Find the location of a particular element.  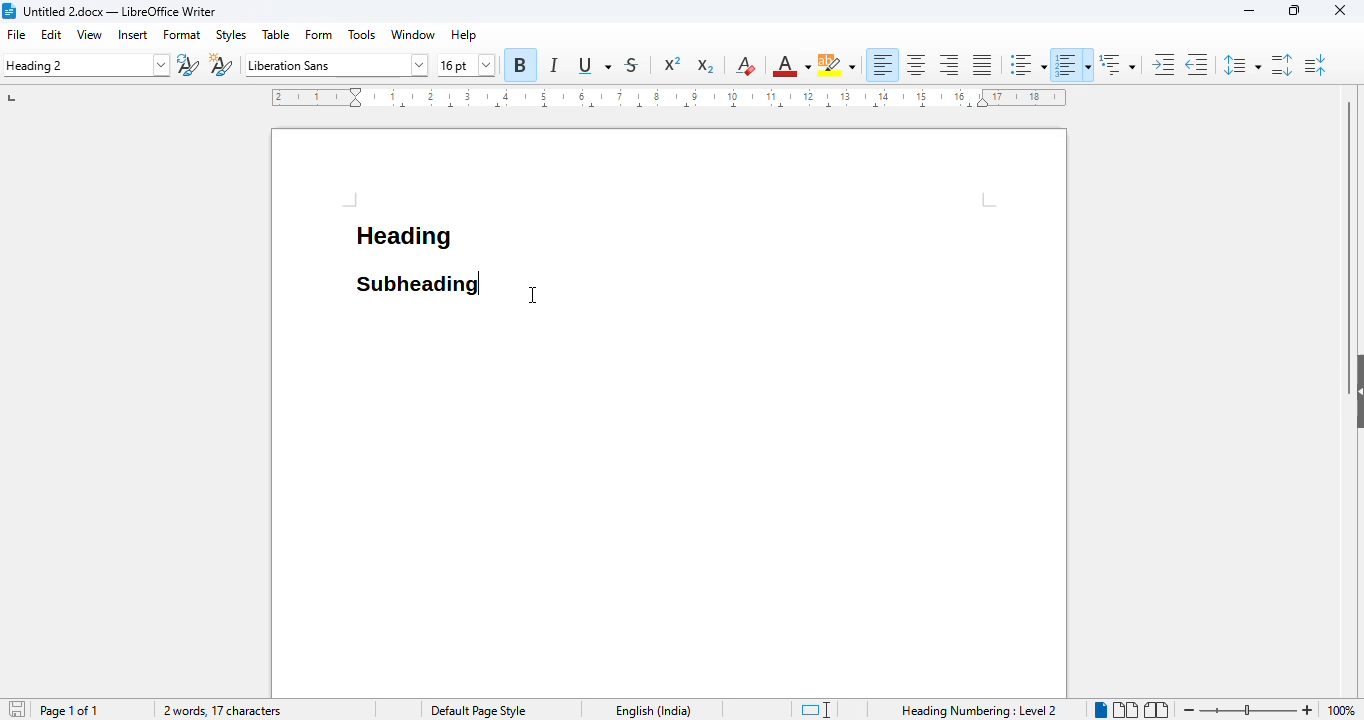

decrease paragraph spacing is located at coordinates (1316, 65).